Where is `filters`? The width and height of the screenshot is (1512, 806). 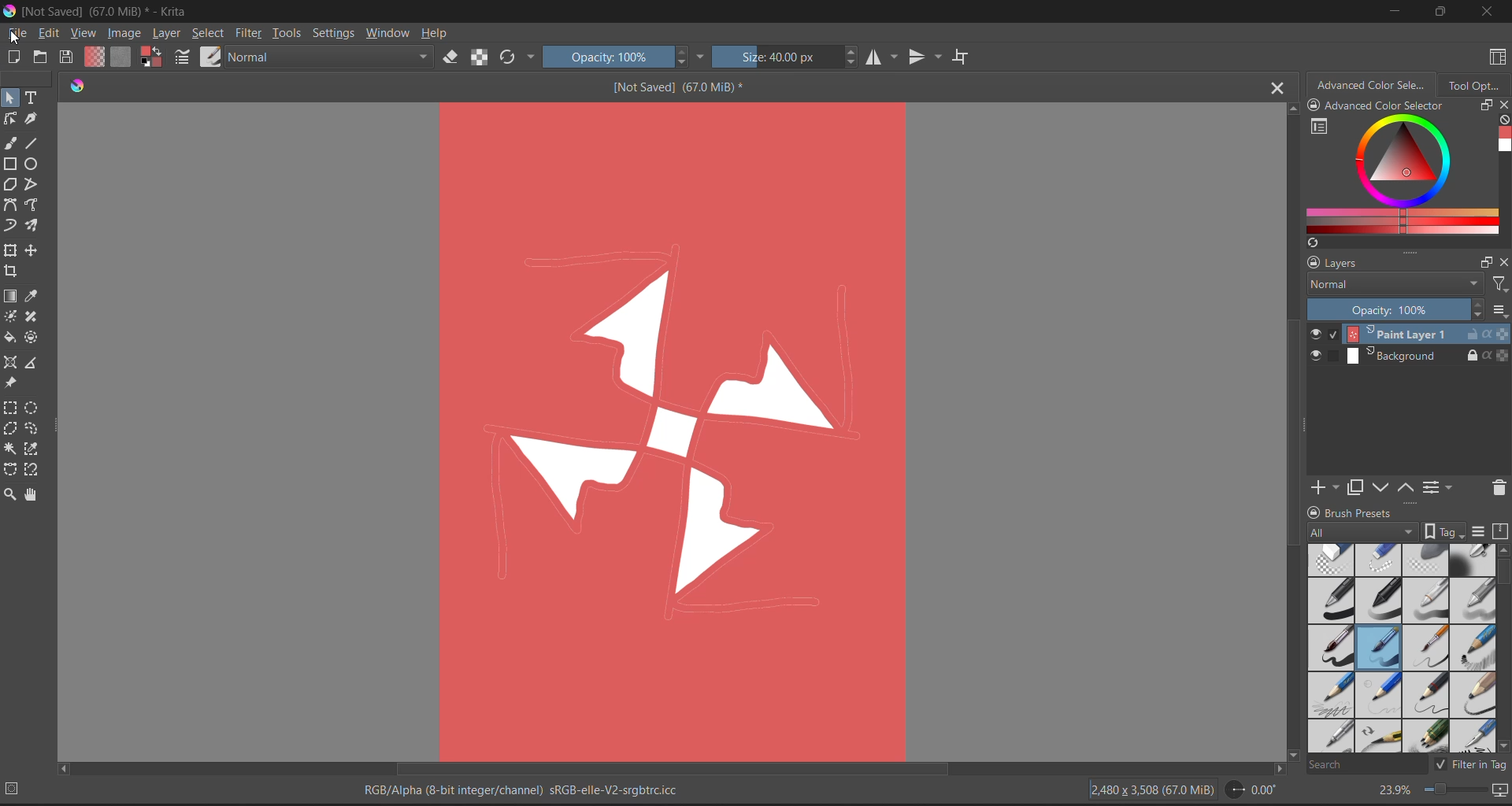 filters is located at coordinates (1499, 287).